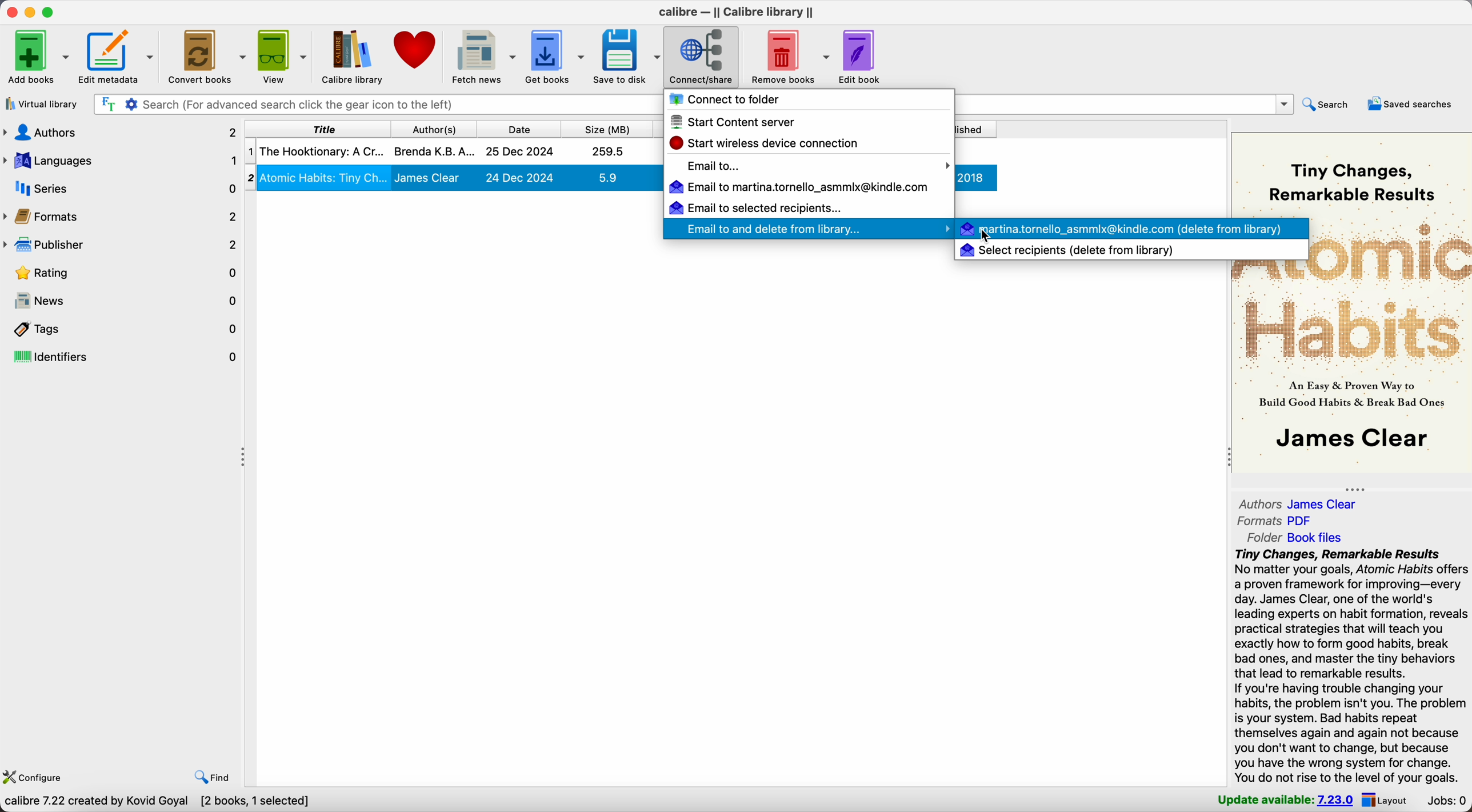 Image resolution: width=1472 pixels, height=812 pixels. Describe the element at coordinates (283, 56) in the screenshot. I see `view` at that location.